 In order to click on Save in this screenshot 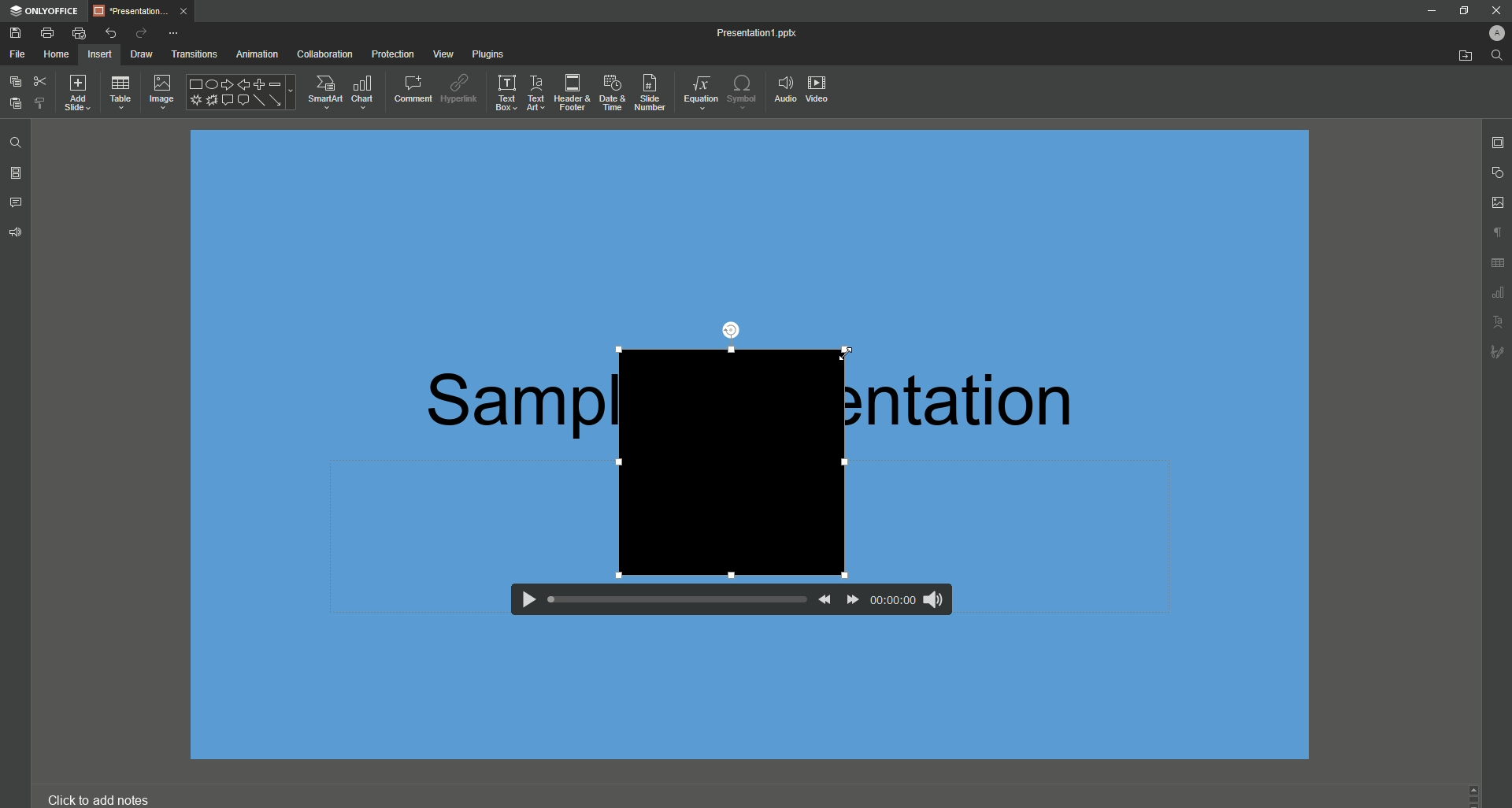, I will do `click(14, 32)`.